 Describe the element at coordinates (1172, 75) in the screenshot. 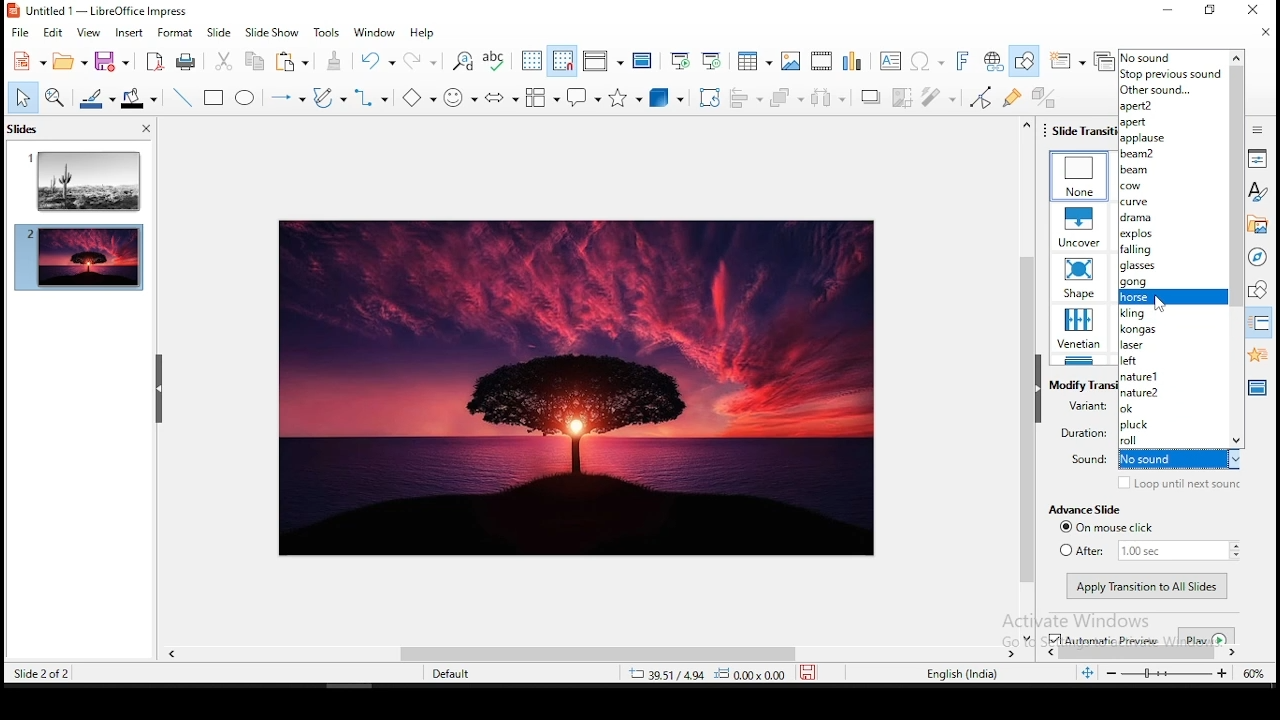

I see `stop previous sound` at that location.